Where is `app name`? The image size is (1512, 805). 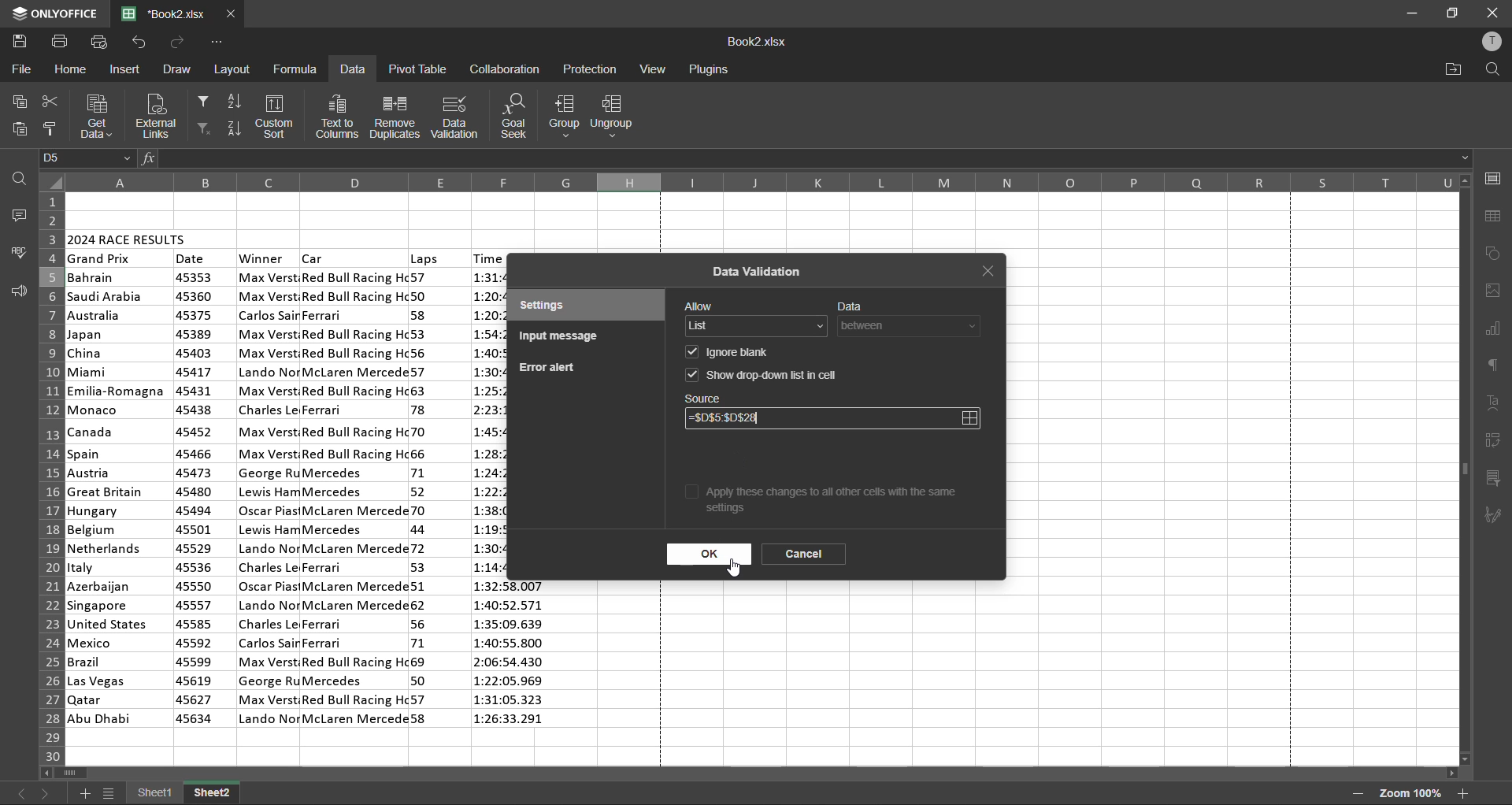
app name is located at coordinates (54, 13).